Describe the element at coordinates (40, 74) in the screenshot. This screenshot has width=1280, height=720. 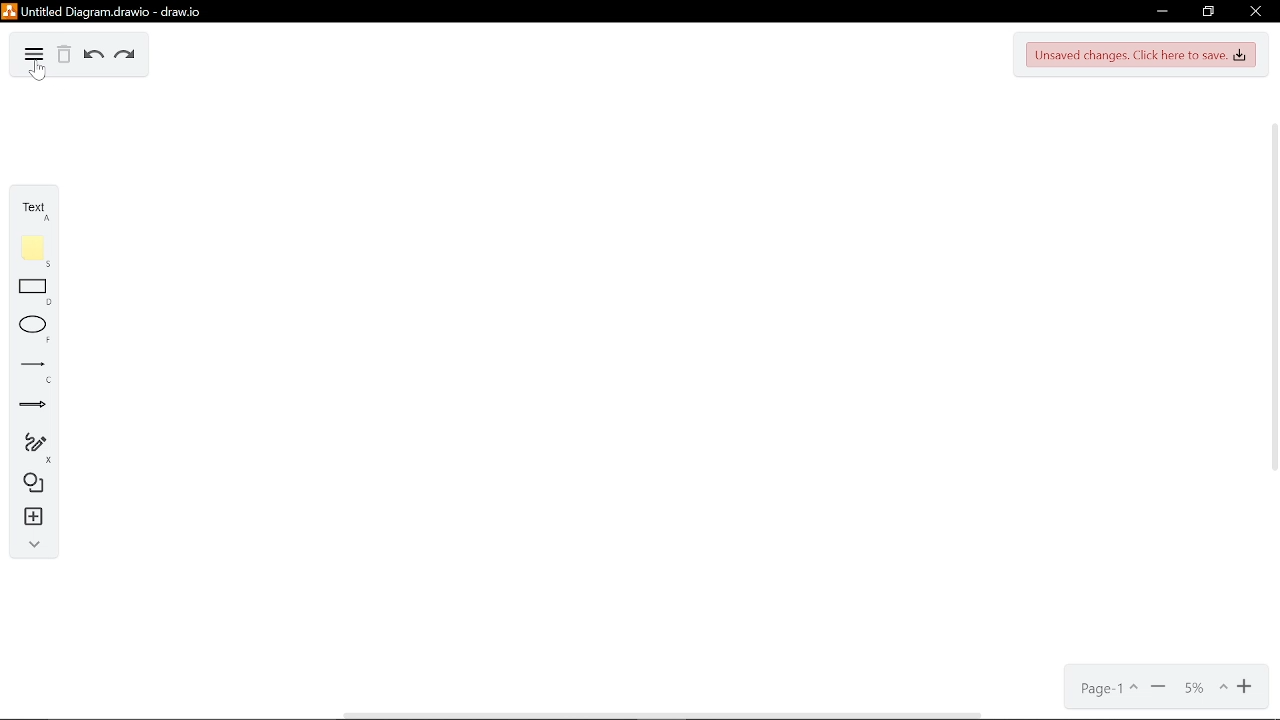
I see `cursor` at that location.